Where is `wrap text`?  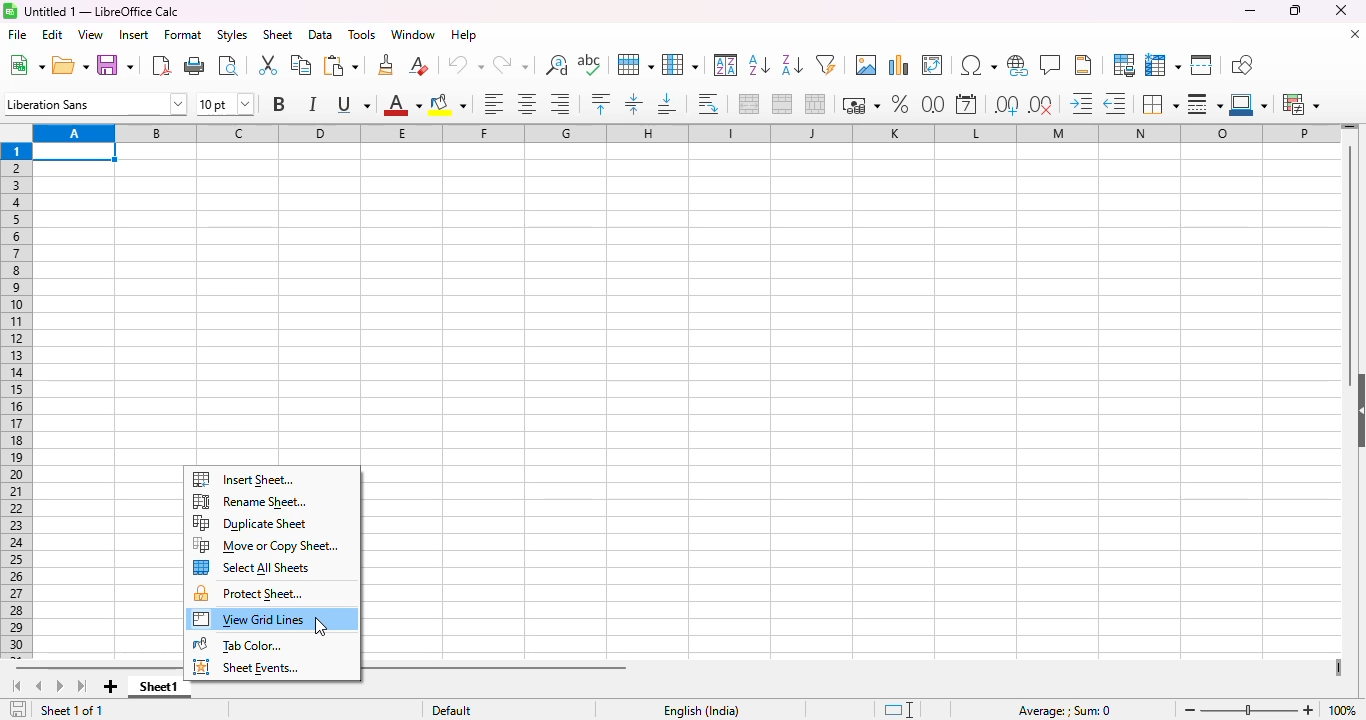
wrap text is located at coordinates (708, 103).